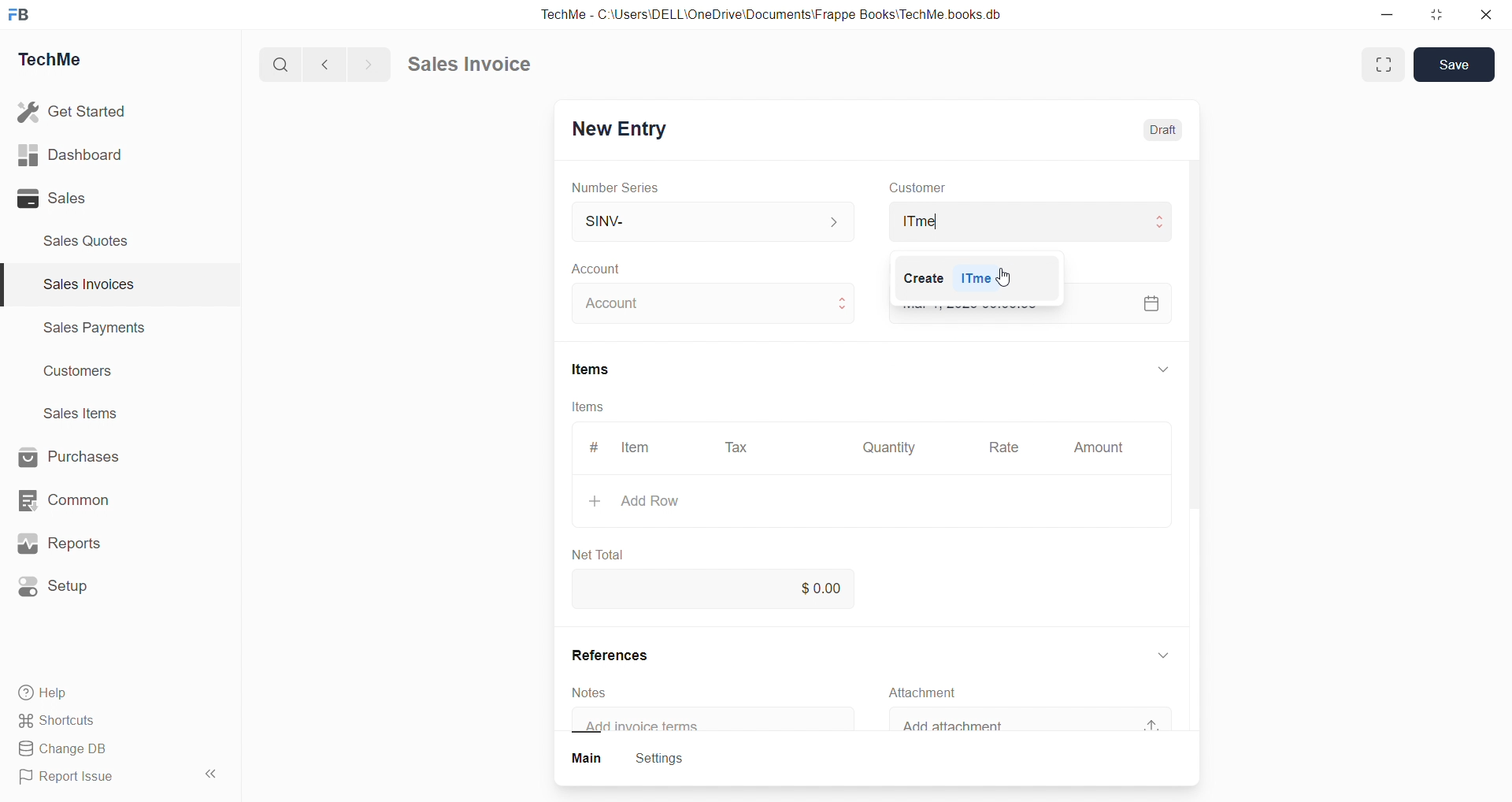 Image resolution: width=1512 pixels, height=802 pixels. What do you see at coordinates (939, 188) in the screenshot?
I see `Customer` at bounding box center [939, 188].